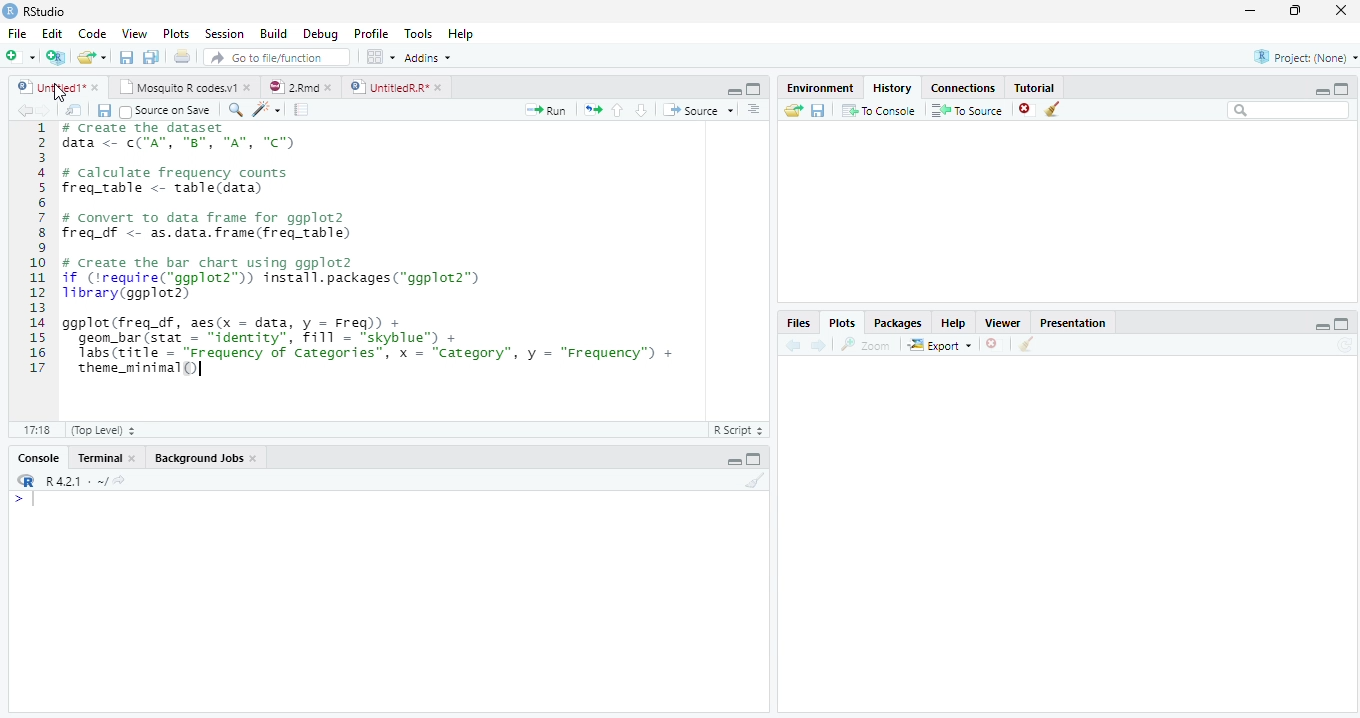 The width and height of the screenshot is (1360, 718). What do you see at coordinates (34, 10) in the screenshot?
I see `Rstudio` at bounding box center [34, 10].